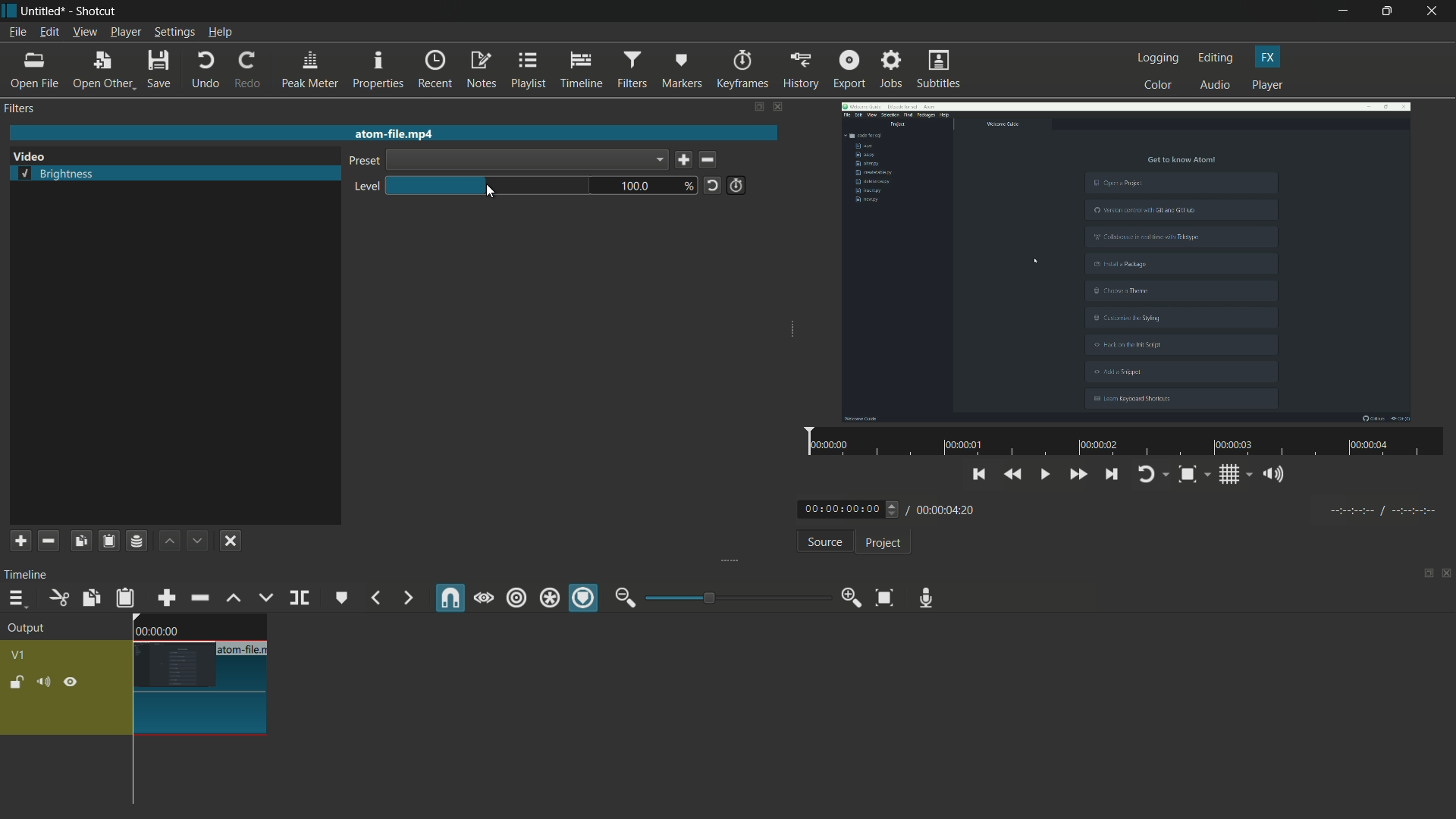 The height and width of the screenshot is (819, 1456). What do you see at coordinates (732, 597) in the screenshot?
I see `zoom bar` at bounding box center [732, 597].